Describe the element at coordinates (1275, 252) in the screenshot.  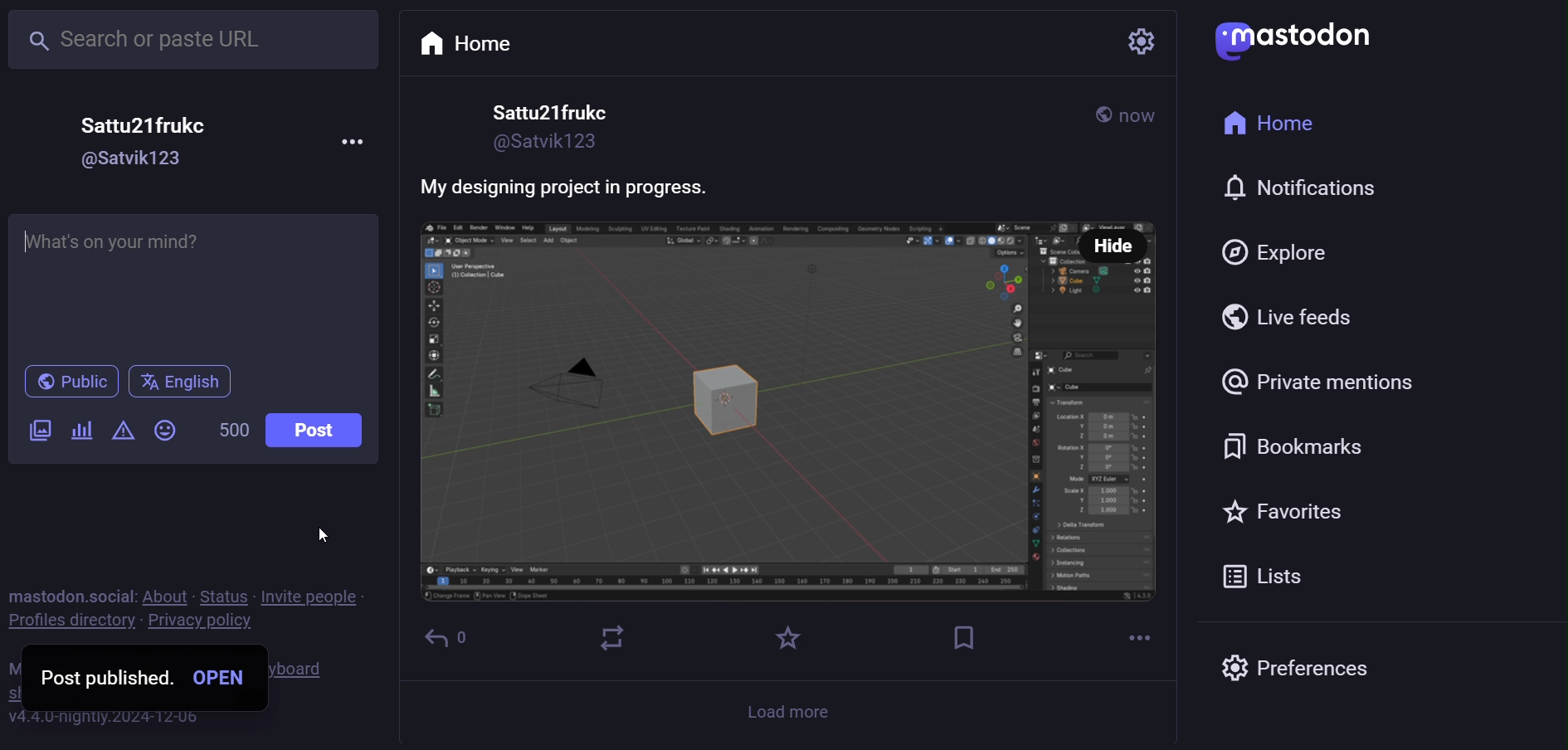
I see `explore` at that location.